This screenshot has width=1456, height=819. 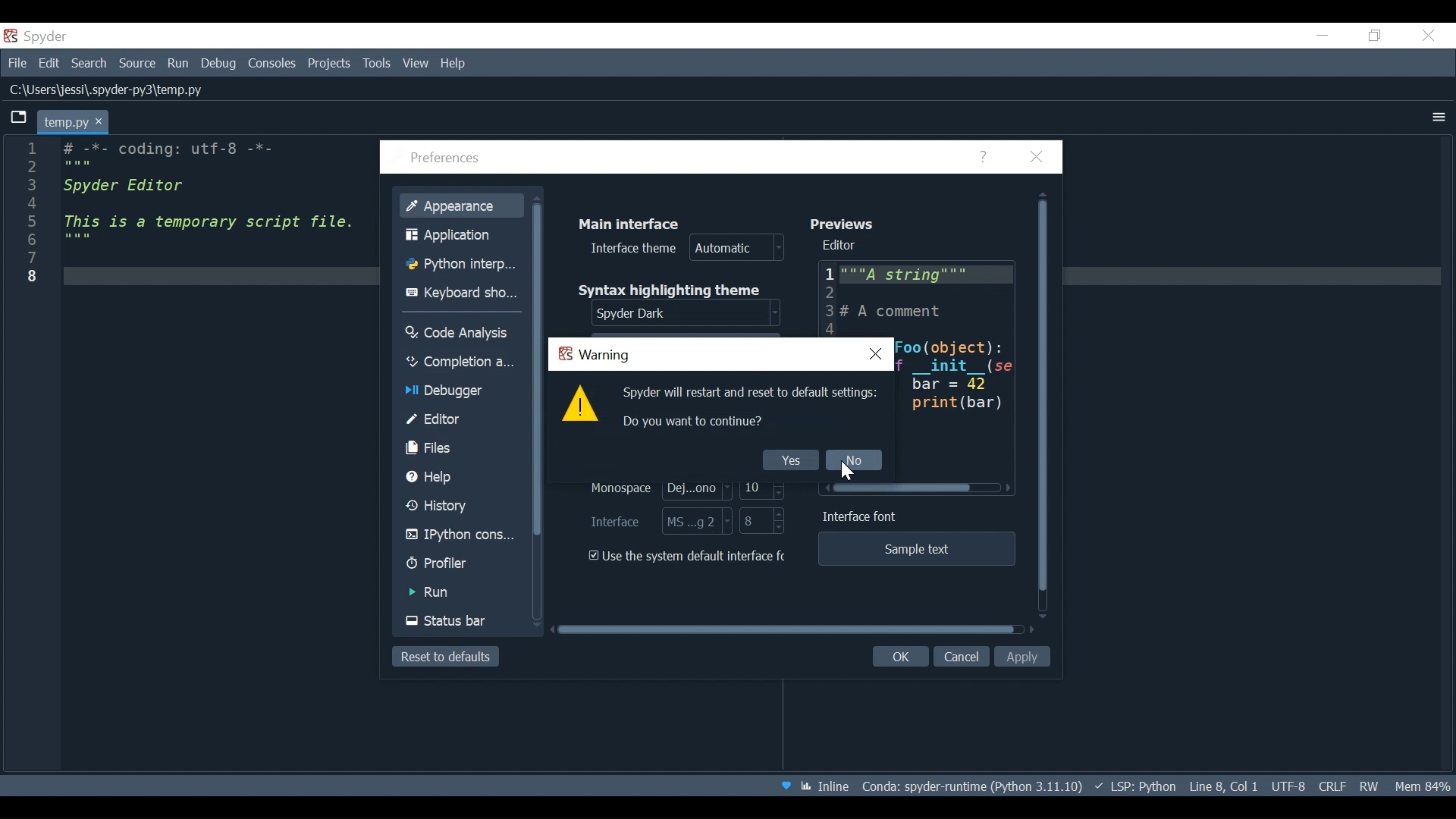 I want to click on Select Interface theme, so click(x=688, y=249).